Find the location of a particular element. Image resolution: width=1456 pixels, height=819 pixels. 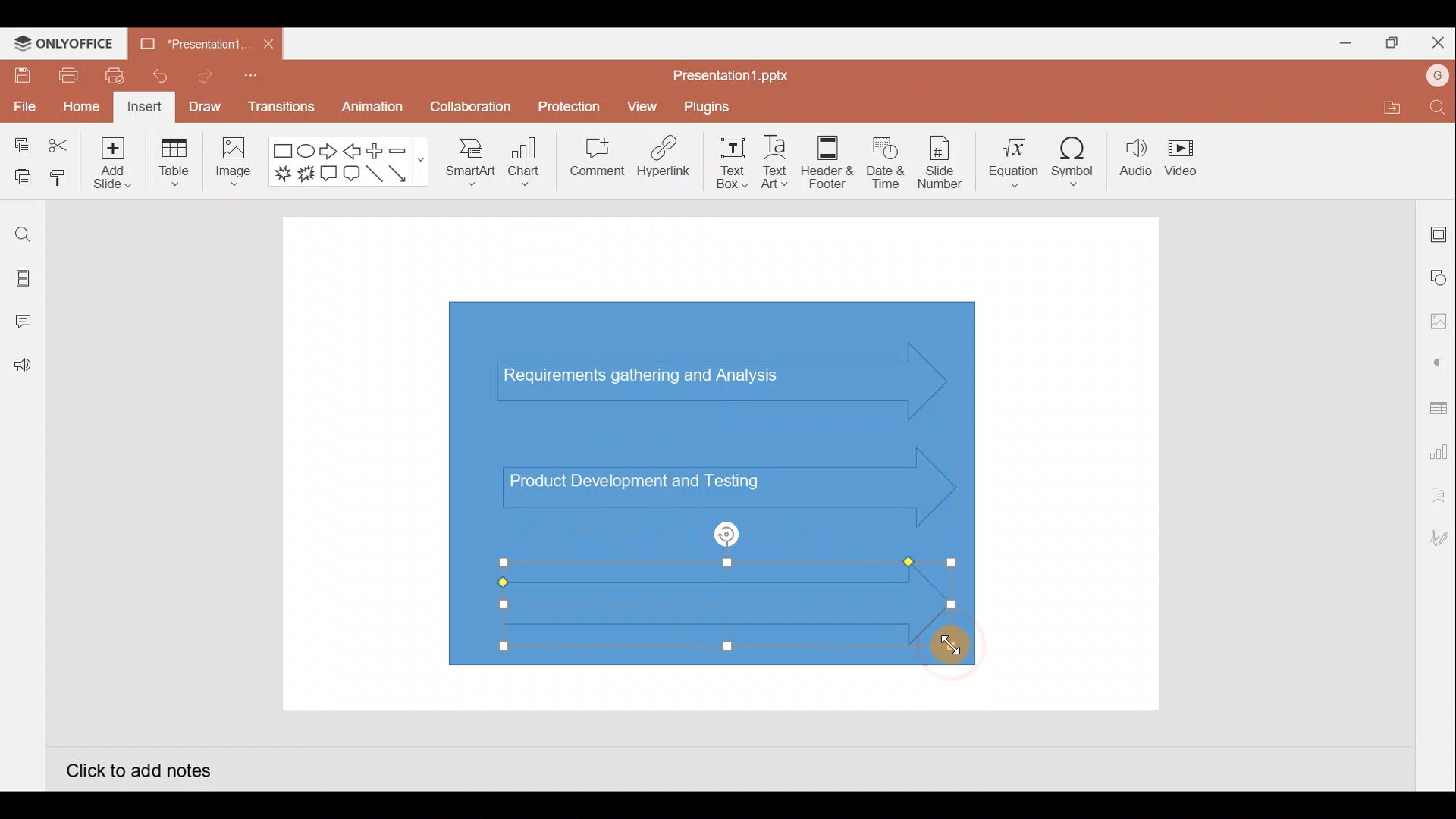

Header & footer is located at coordinates (828, 158).